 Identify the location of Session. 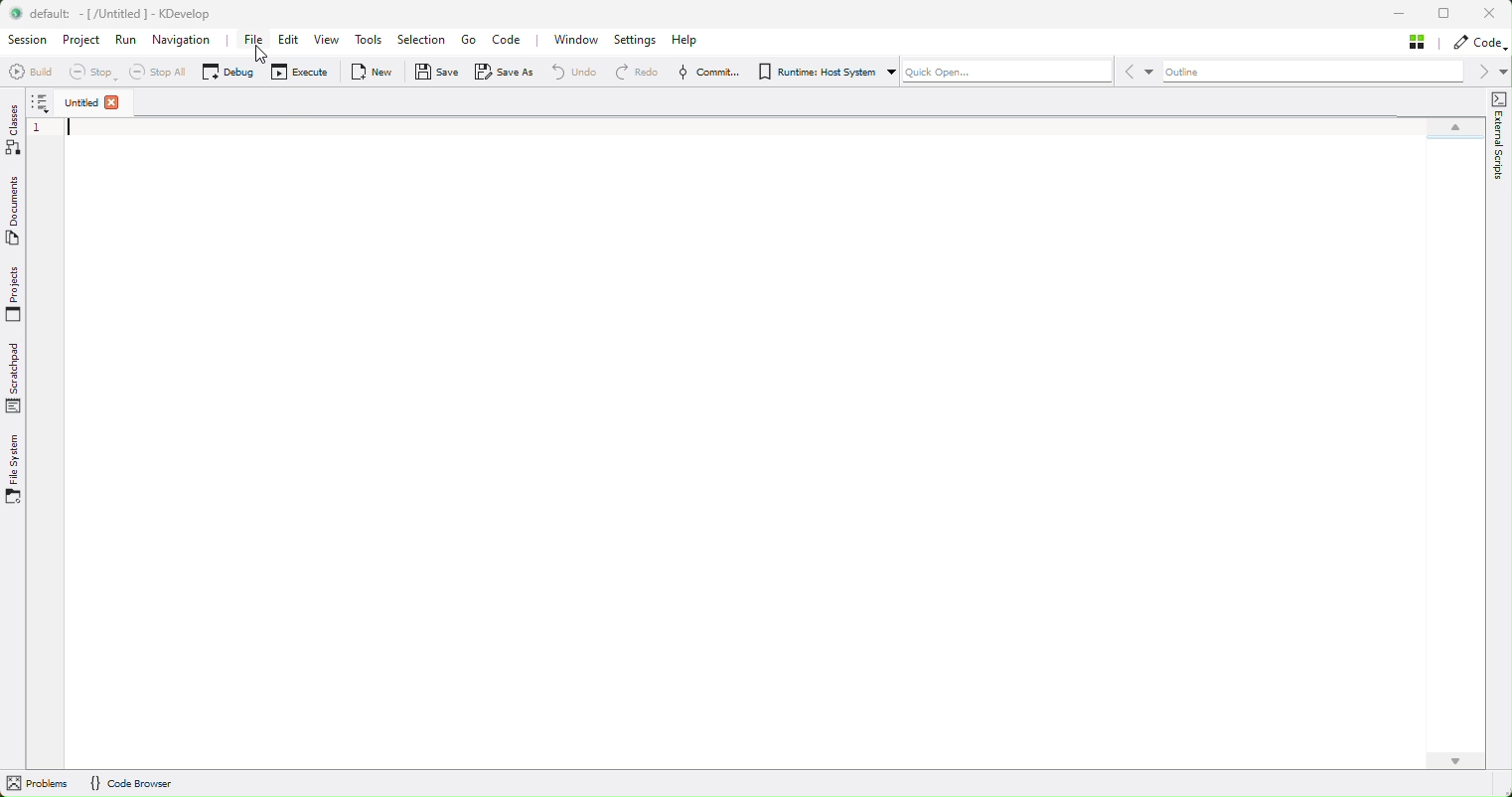
(29, 42).